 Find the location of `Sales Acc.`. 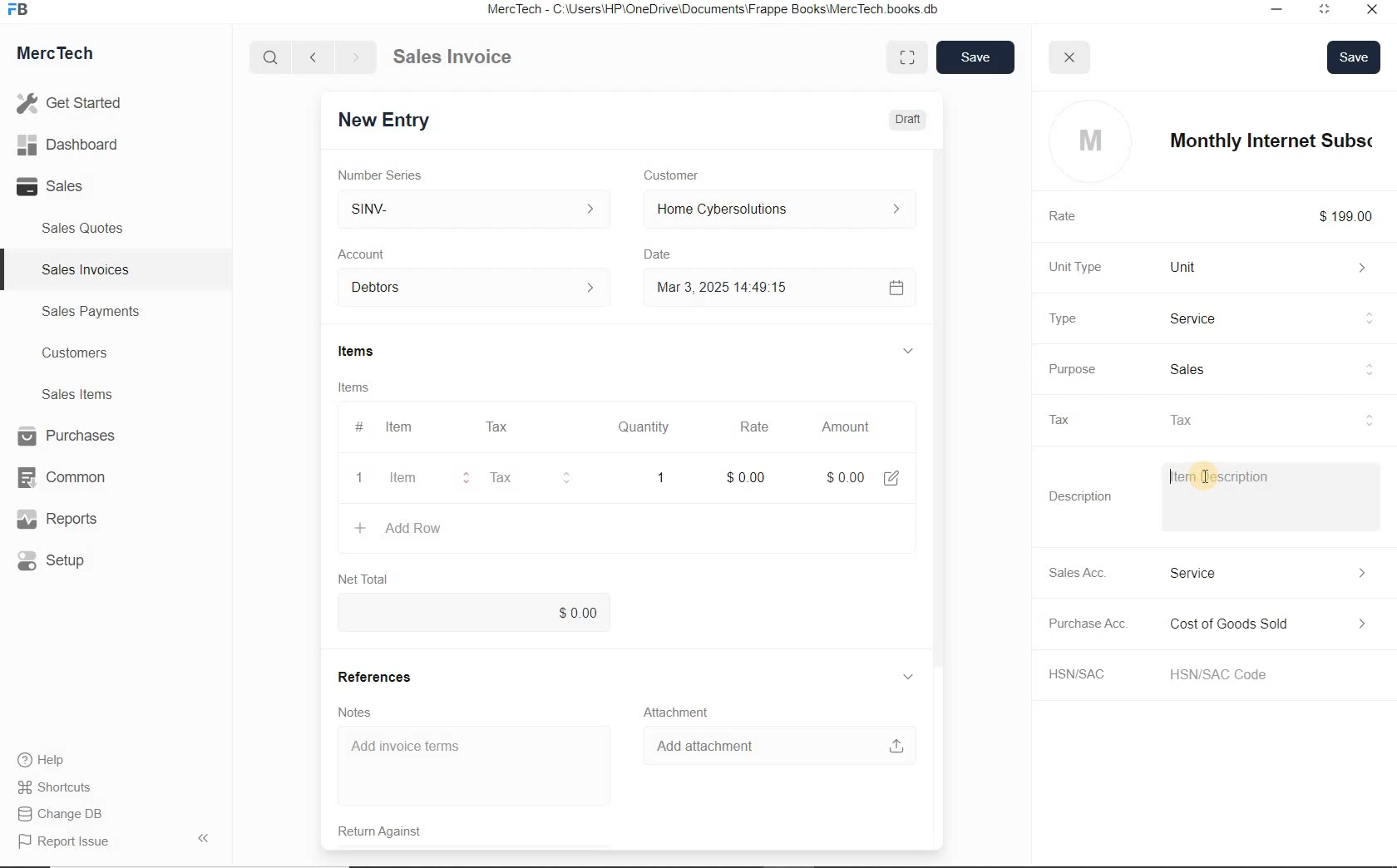

Sales Acc. is located at coordinates (1073, 572).